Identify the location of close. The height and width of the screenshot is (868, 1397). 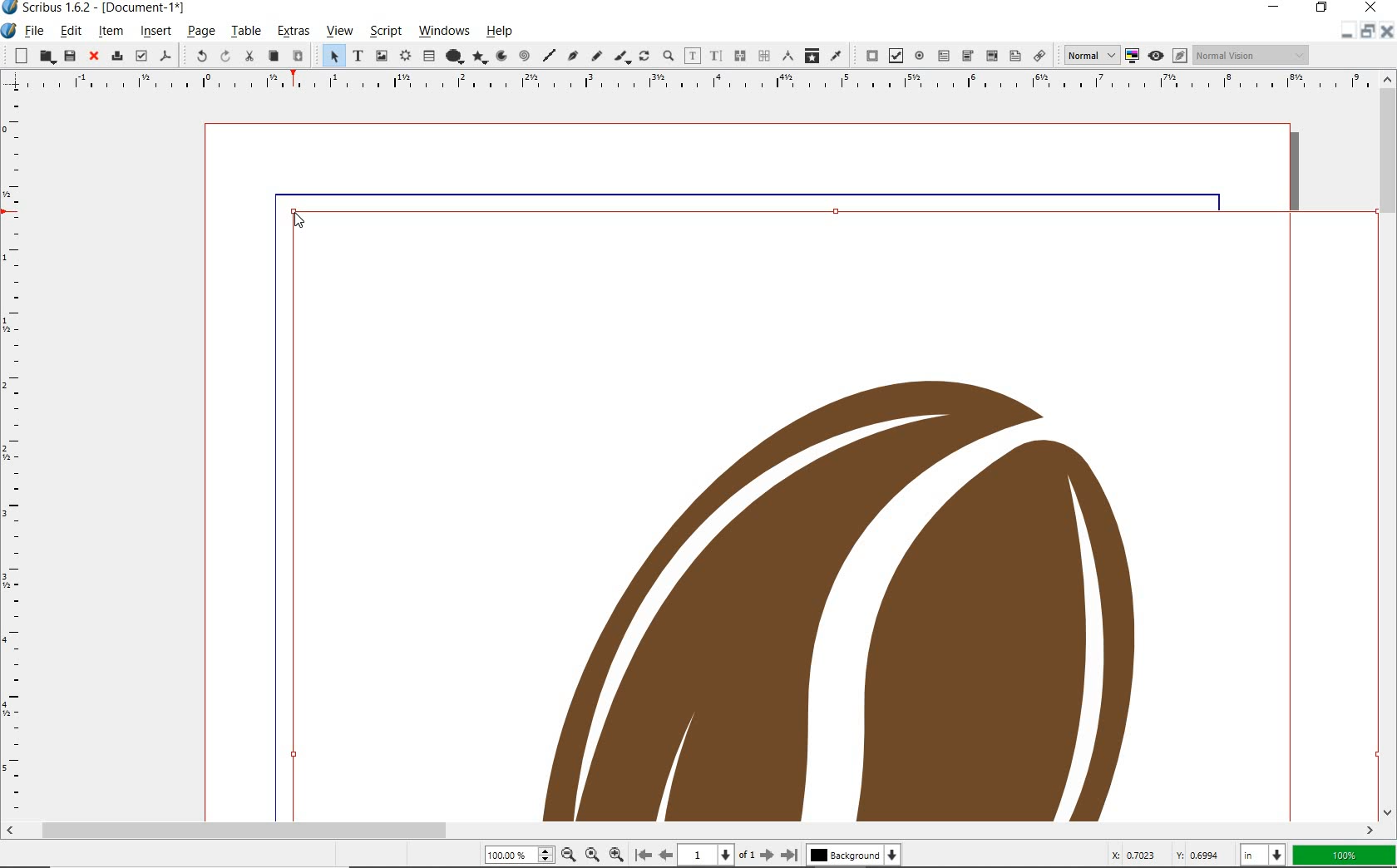
(93, 57).